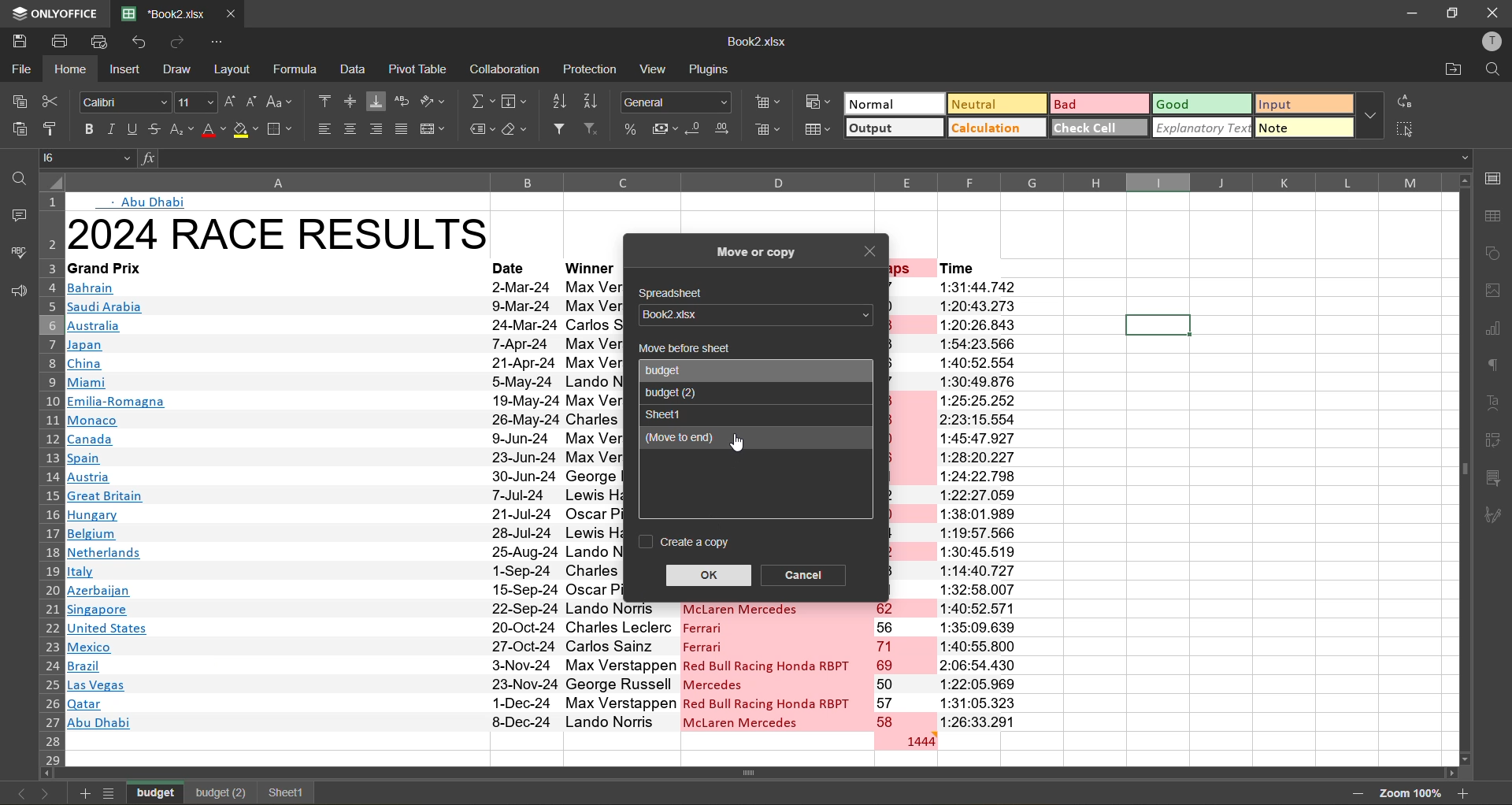  Describe the element at coordinates (326, 128) in the screenshot. I see `align left` at that location.